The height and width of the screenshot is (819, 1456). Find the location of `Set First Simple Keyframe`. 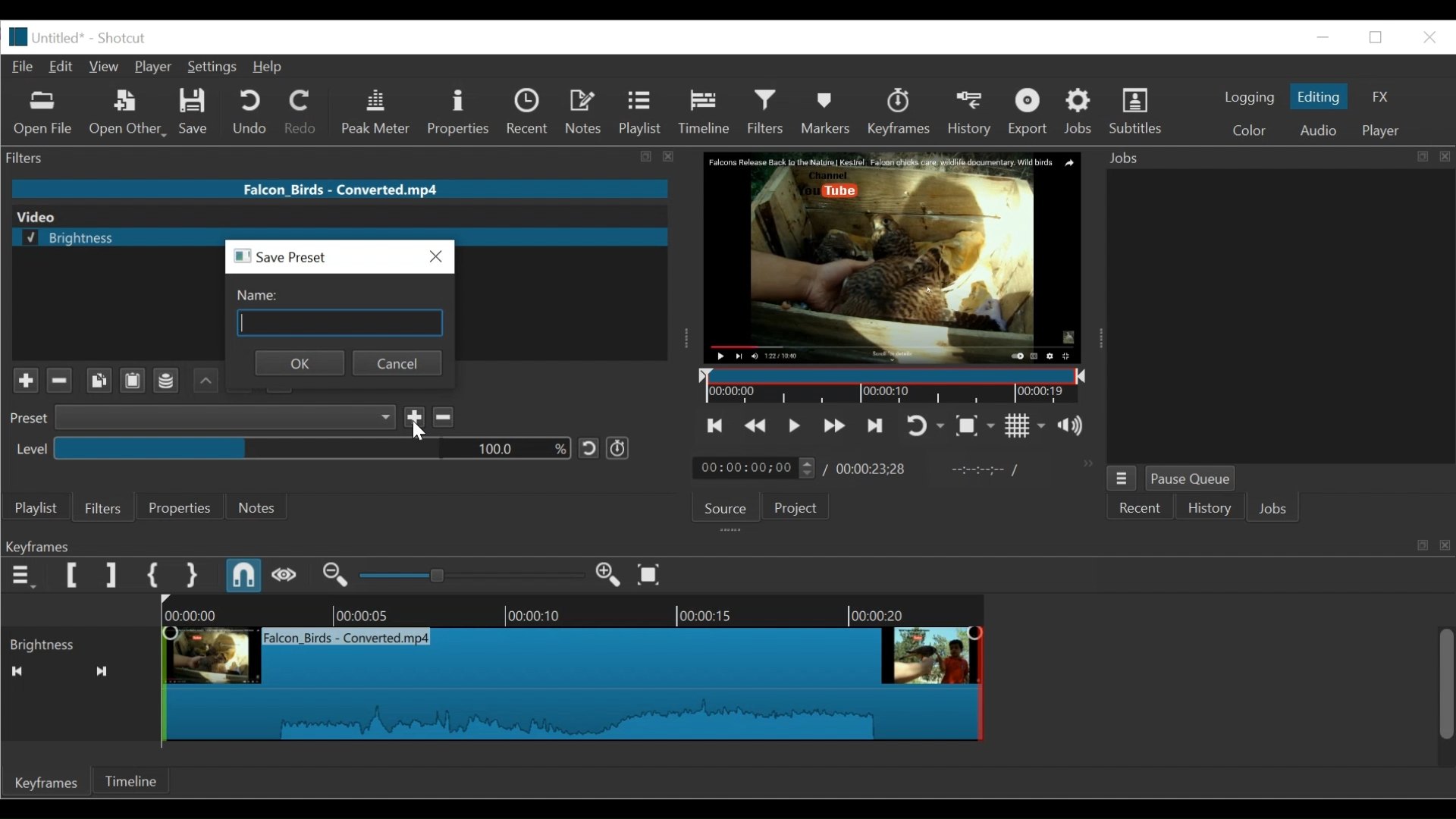

Set First Simple Keyframe is located at coordinates (152, 576).